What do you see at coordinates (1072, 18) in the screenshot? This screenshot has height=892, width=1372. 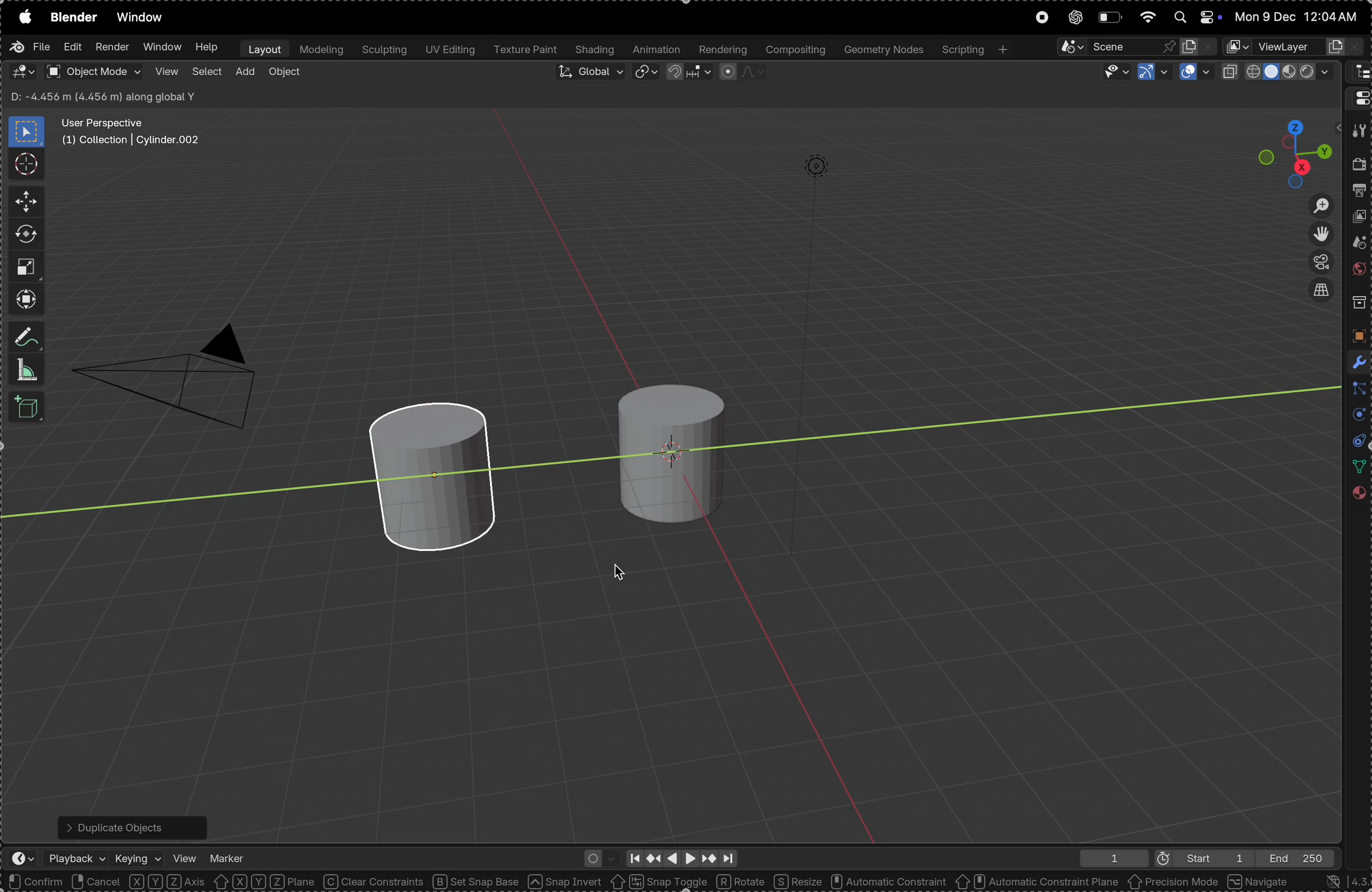 I see `chatgpt` at bounding box center [1072, 18].